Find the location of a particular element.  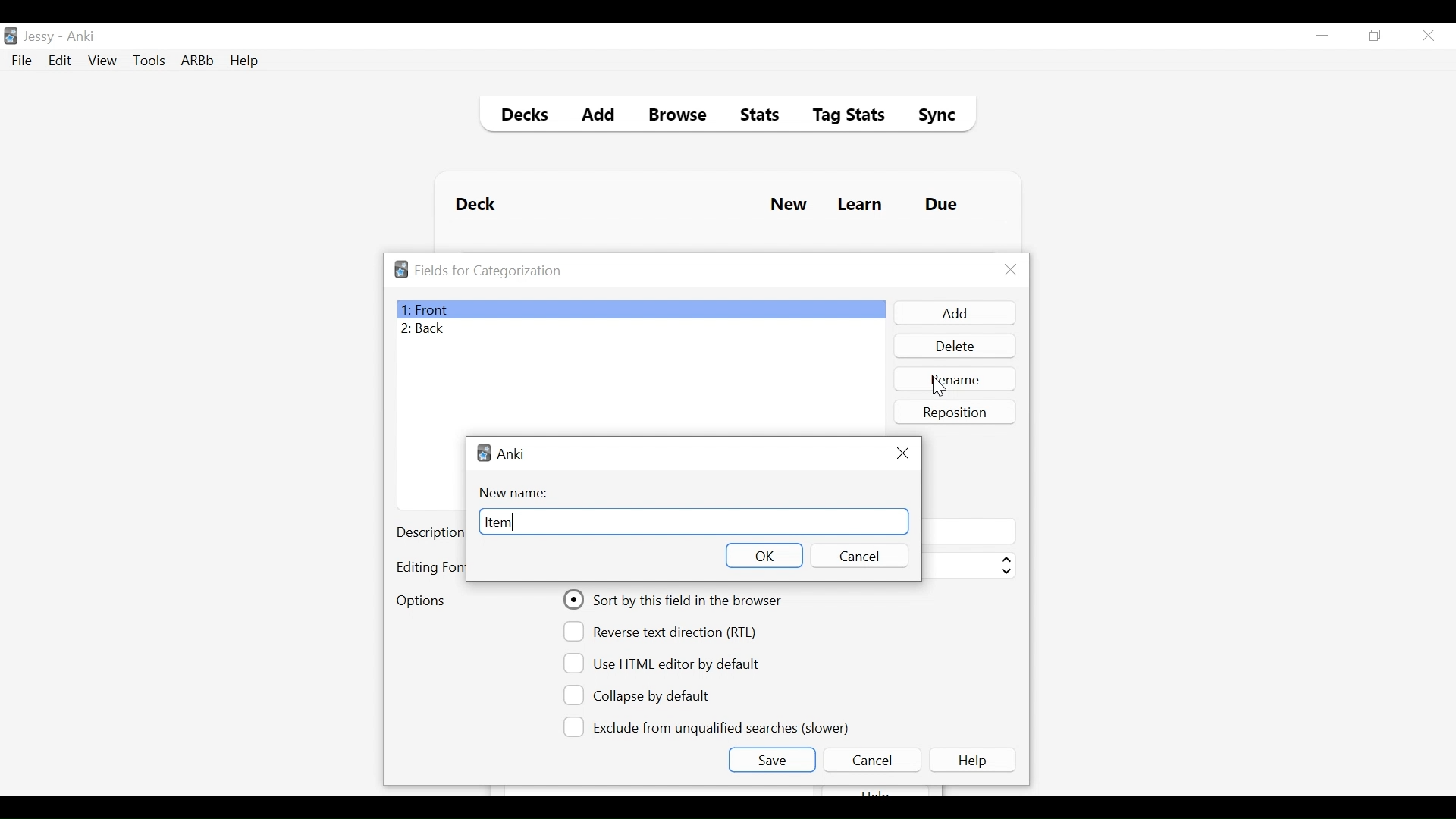

OK is located at coordinates (763, 555).